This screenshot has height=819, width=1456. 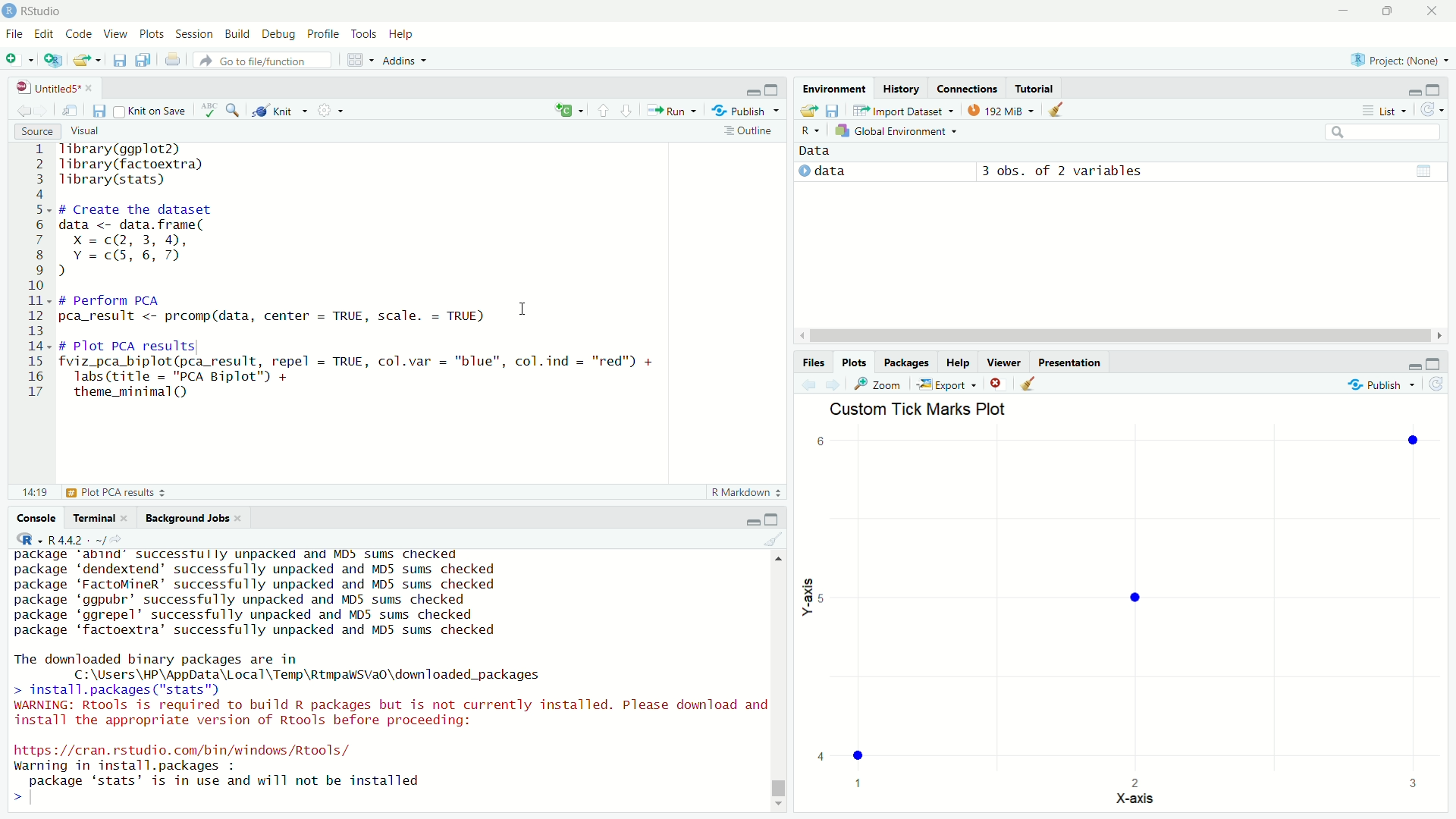 What do you see at coordinates (1413, 362) in the screenshot?
I see `minimize` at bounding box center [1413, 362].